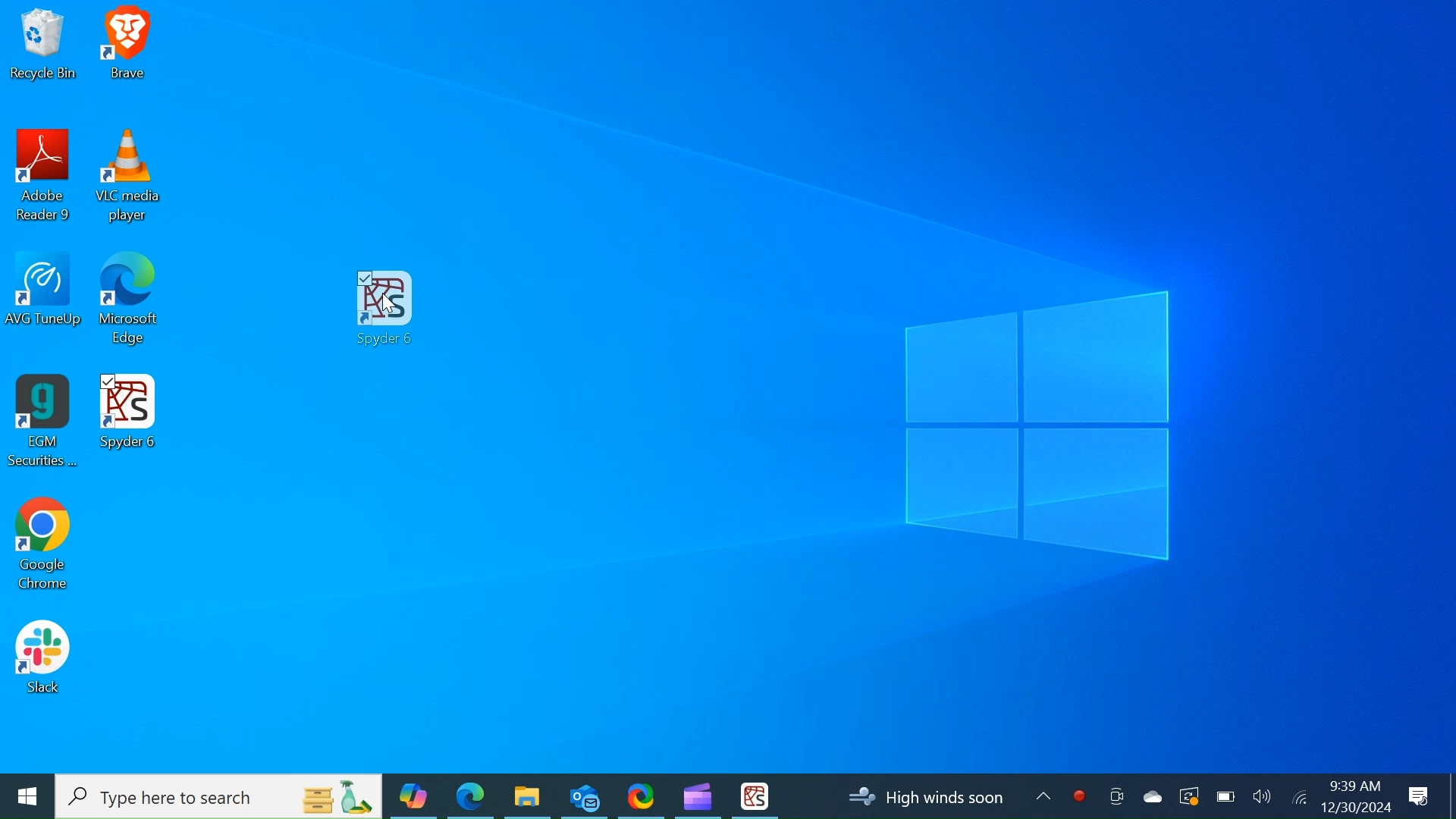 The height and width of the screenshot is (819, 1456). Describe the element at coordinates (393, 306) in the screenshot. I see `Cursor` at that location.